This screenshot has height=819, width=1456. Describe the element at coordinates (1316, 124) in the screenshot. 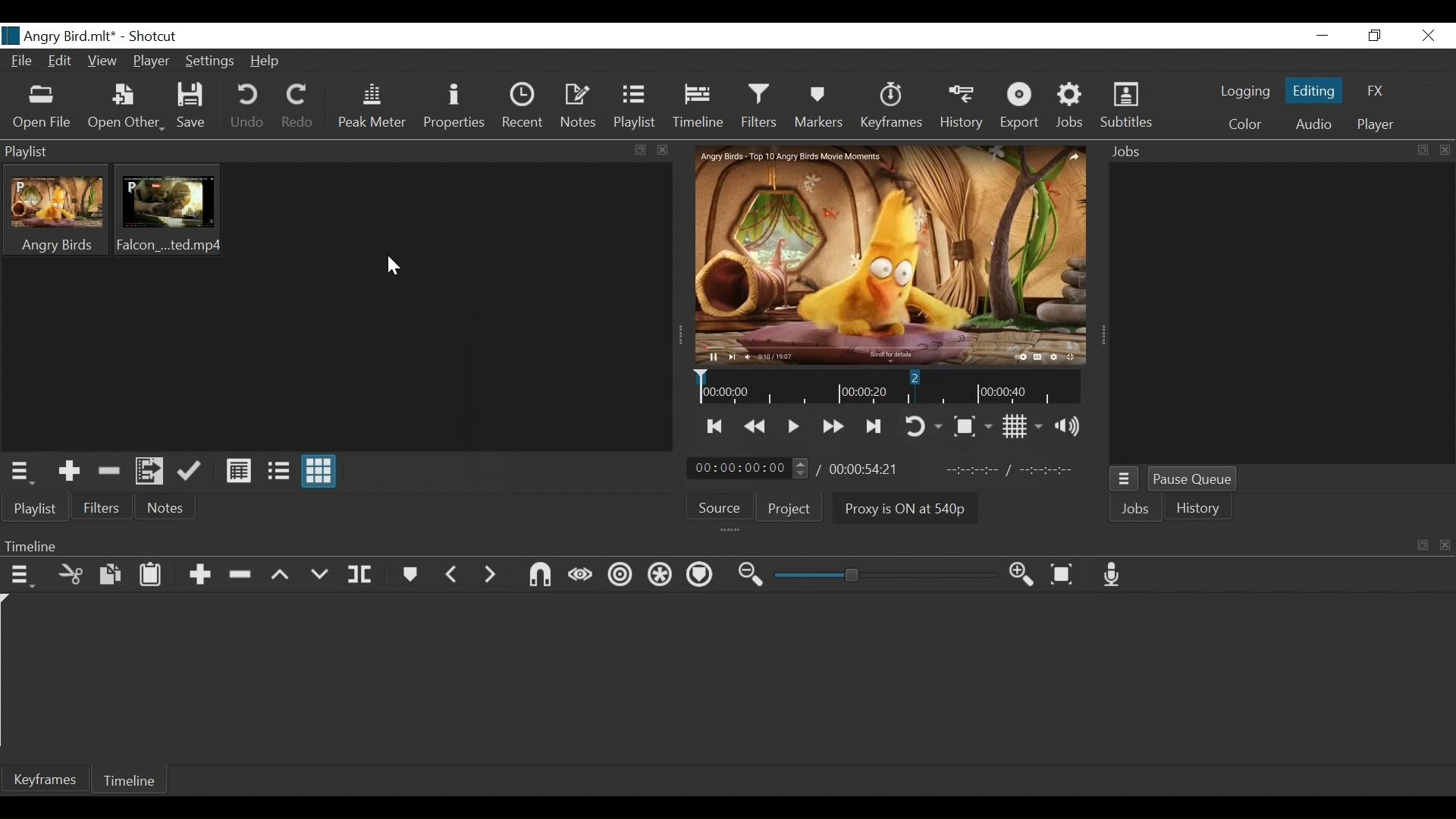

I see `Audio` at that location.